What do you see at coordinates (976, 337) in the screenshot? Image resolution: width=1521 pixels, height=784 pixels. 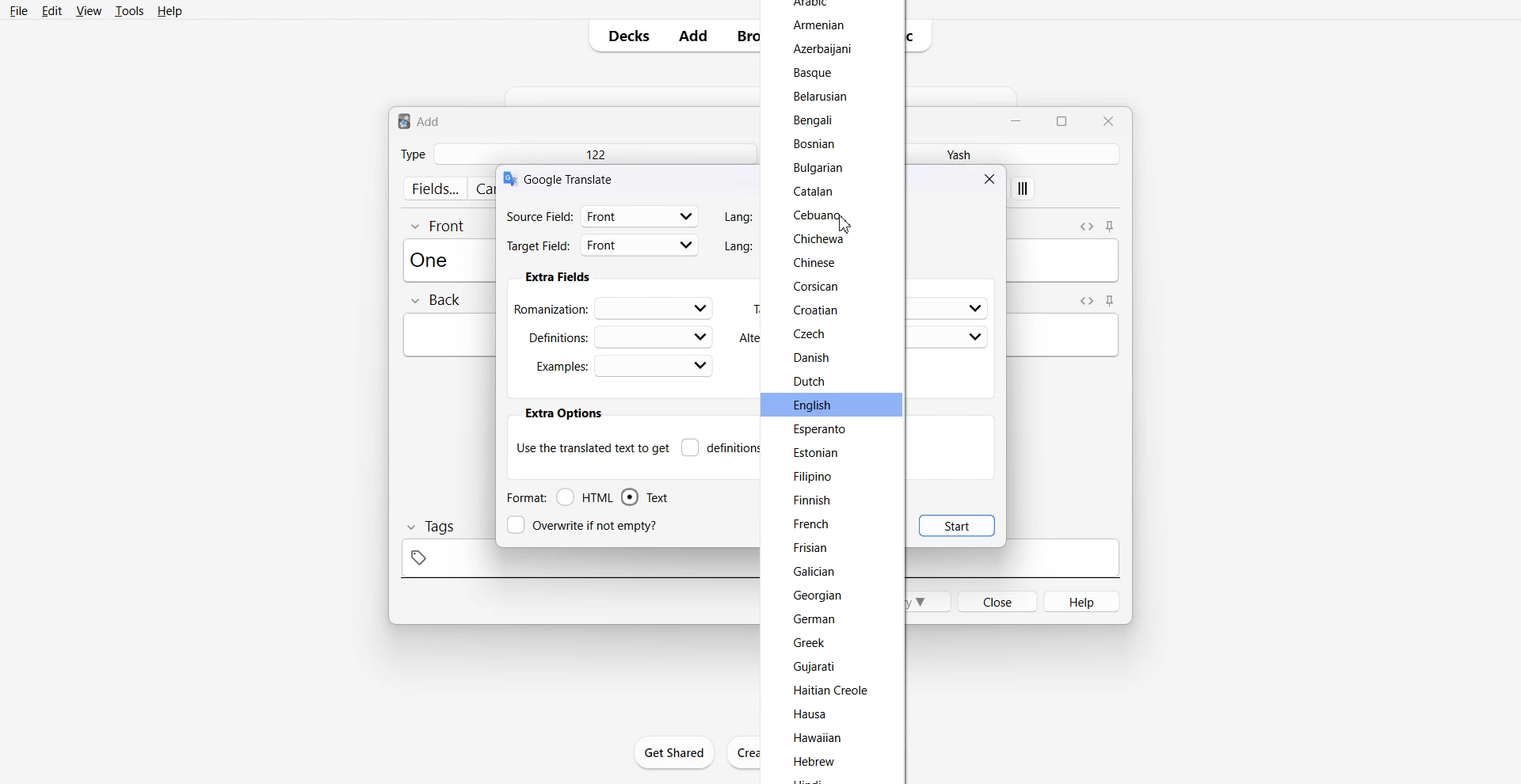 I see `dropdown` at bounding box center [976, 337].